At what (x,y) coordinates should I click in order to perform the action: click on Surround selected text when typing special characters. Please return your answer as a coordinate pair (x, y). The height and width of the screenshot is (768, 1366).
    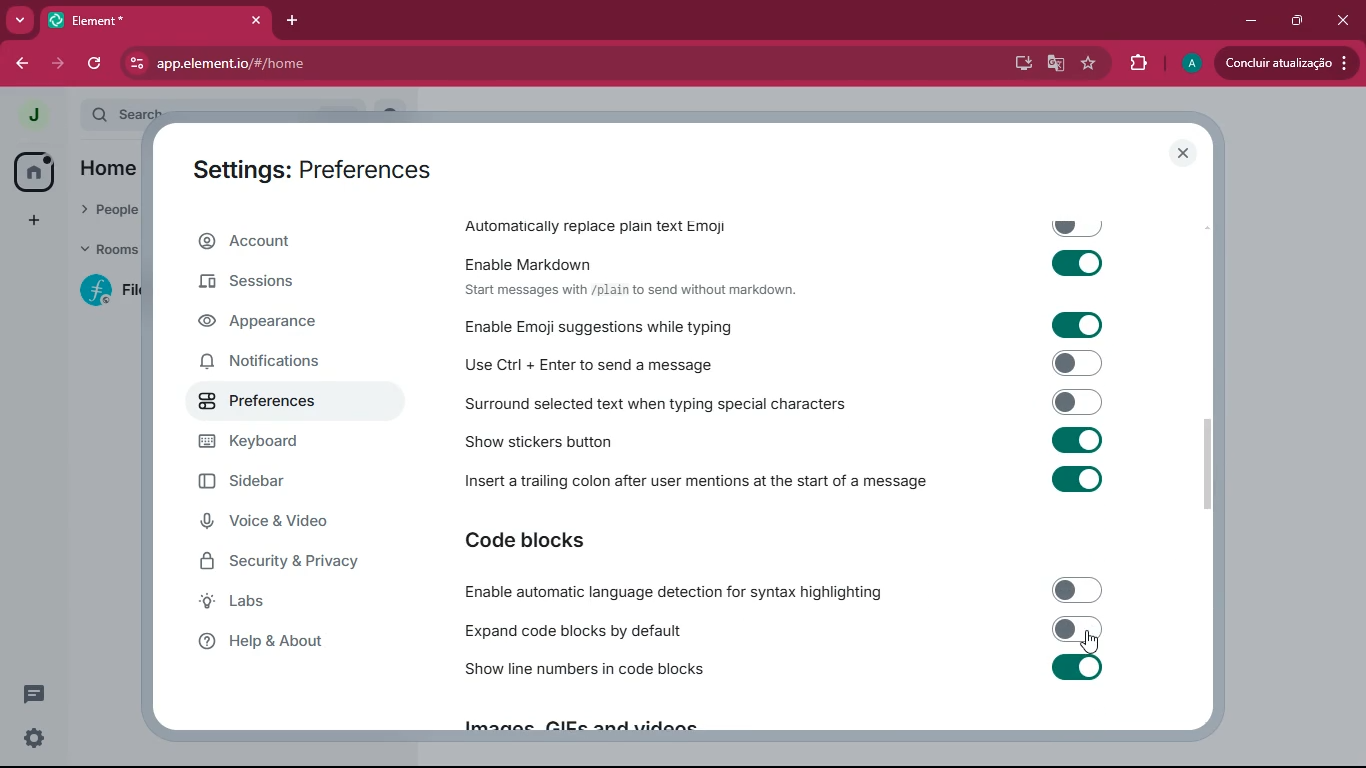
    Looking at the image, I should click on (787, 402).